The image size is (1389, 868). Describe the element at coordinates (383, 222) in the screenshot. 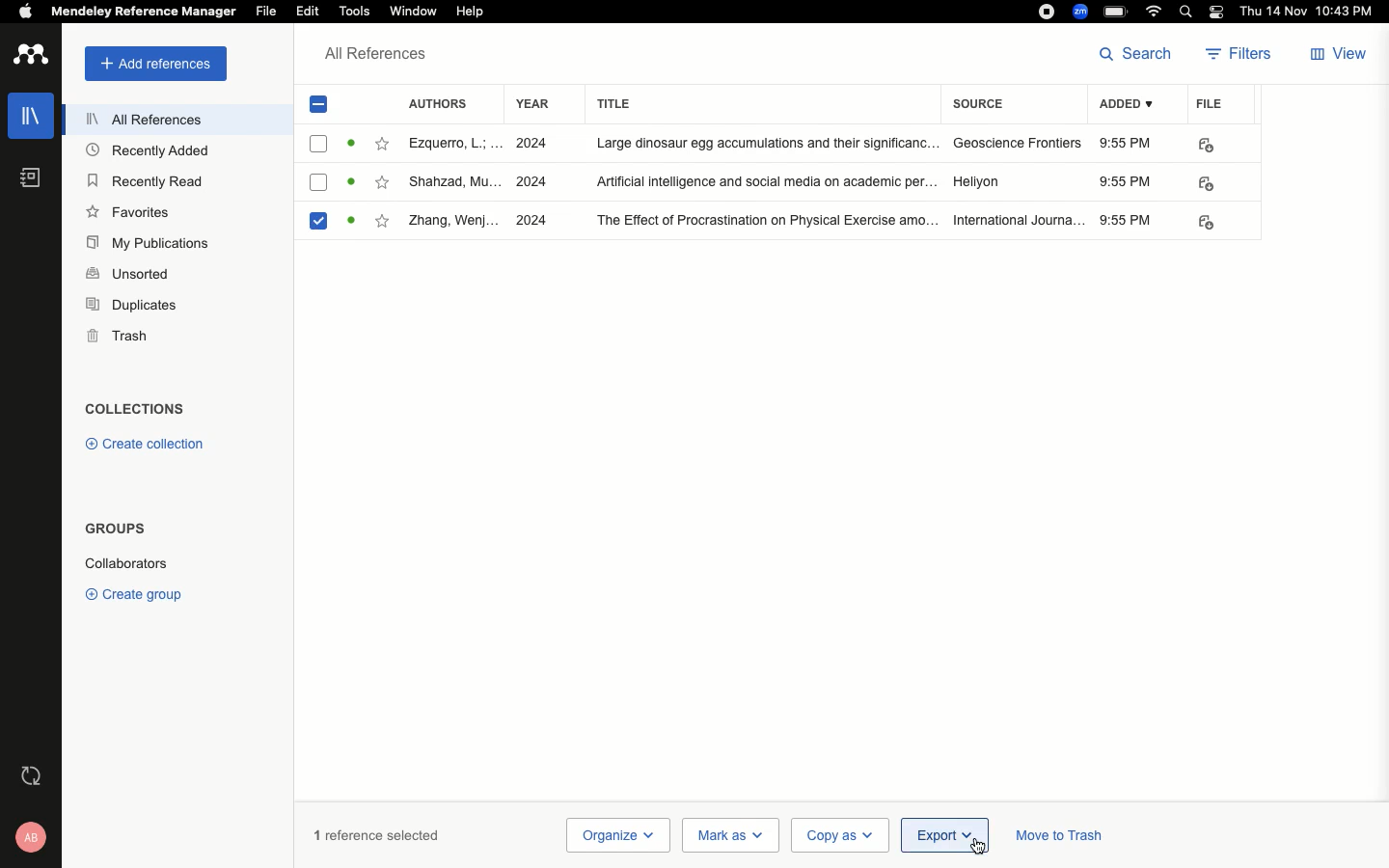

I see `favourite` at that location.